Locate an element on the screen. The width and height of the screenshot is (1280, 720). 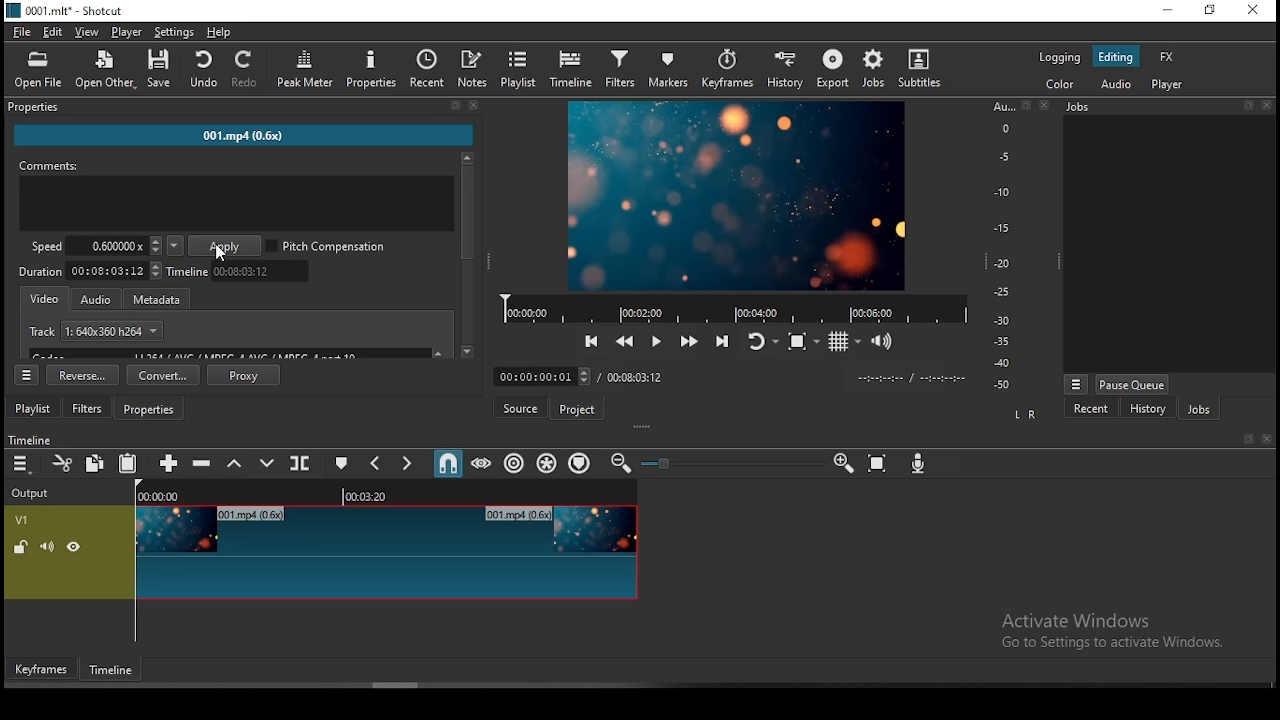
ripple markers is located at coordinates (580, 462).